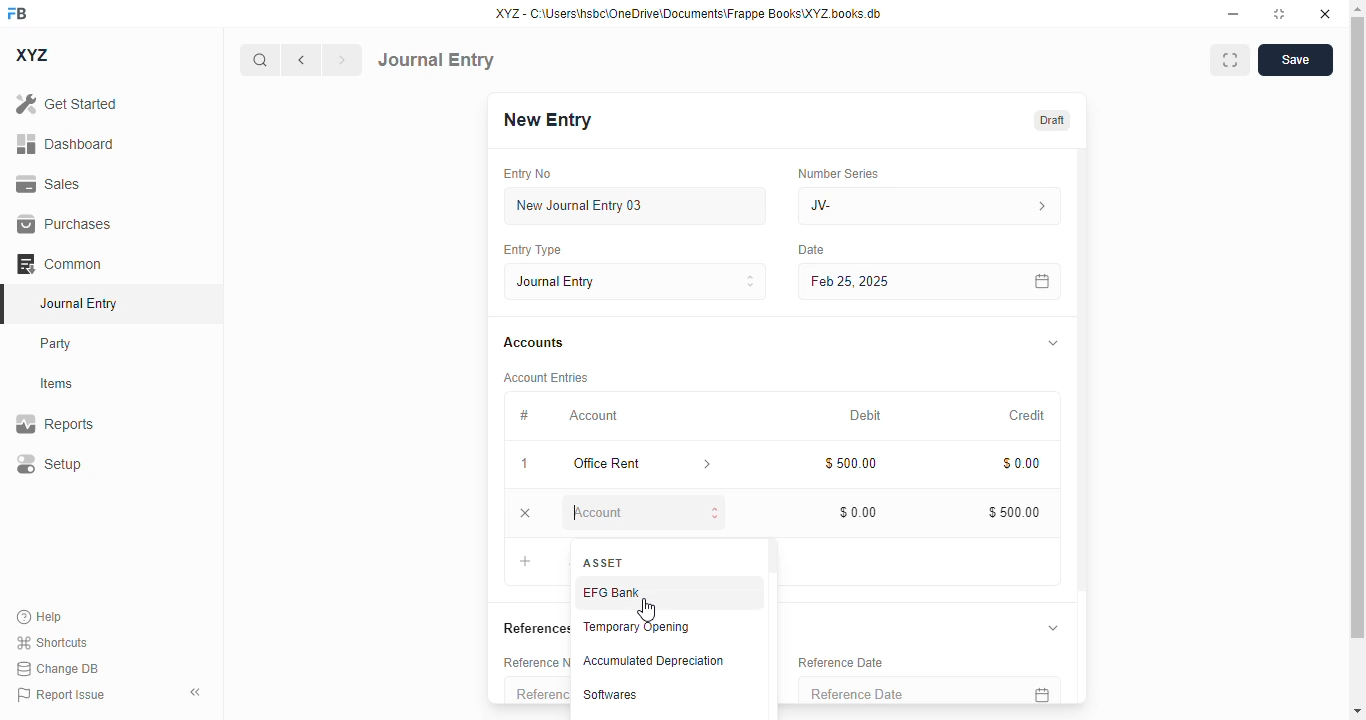 The image size is (1366, 720). What do you see at coordinates (634, 205) in the screenshot?
I see `new journal entry 03` at bounding box center [634, 205].